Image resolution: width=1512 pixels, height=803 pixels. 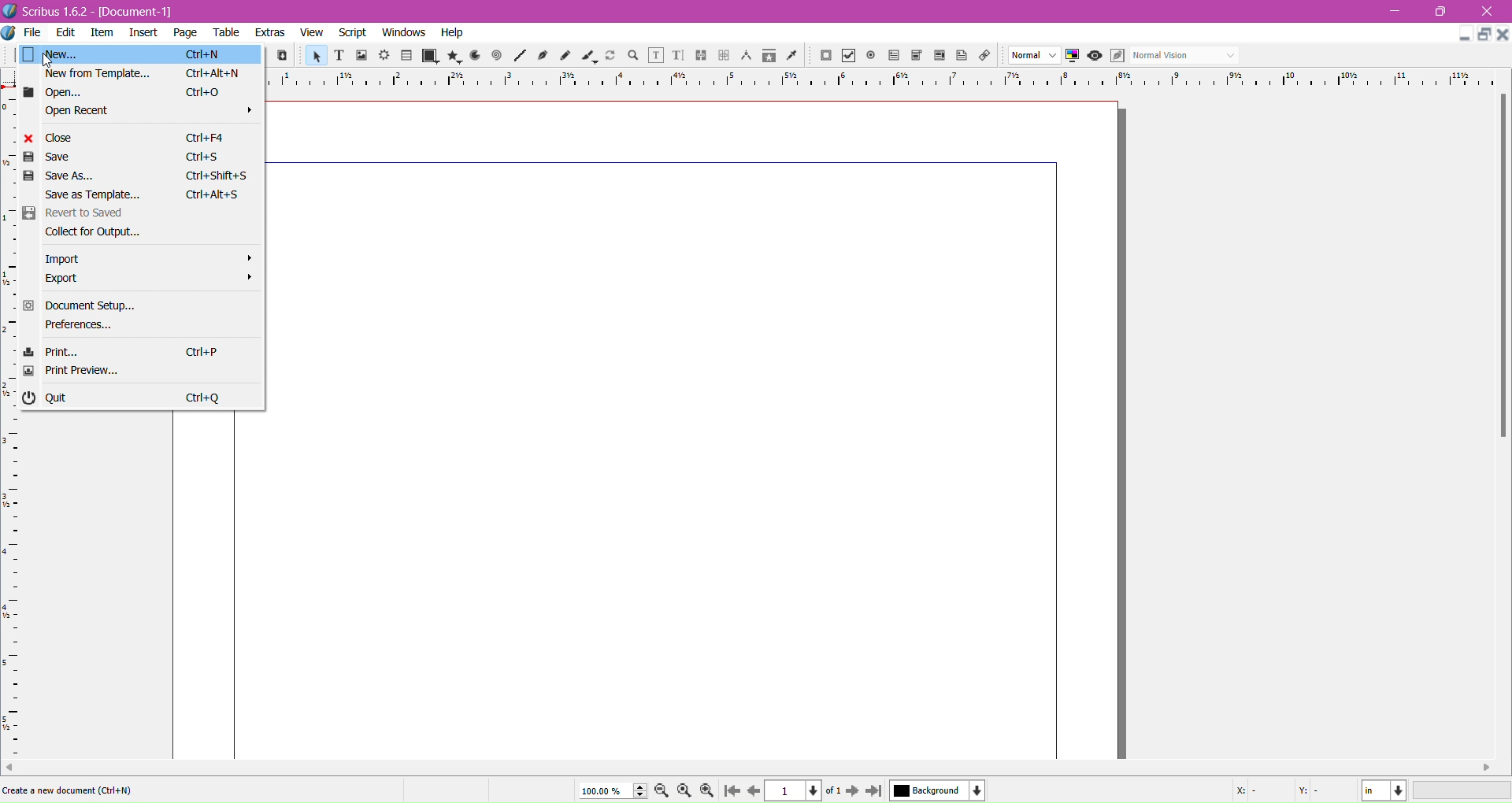 What do you see at coordinates (35, 33) in the screenshot?
I see `file ` at bounding box center [35, 33].